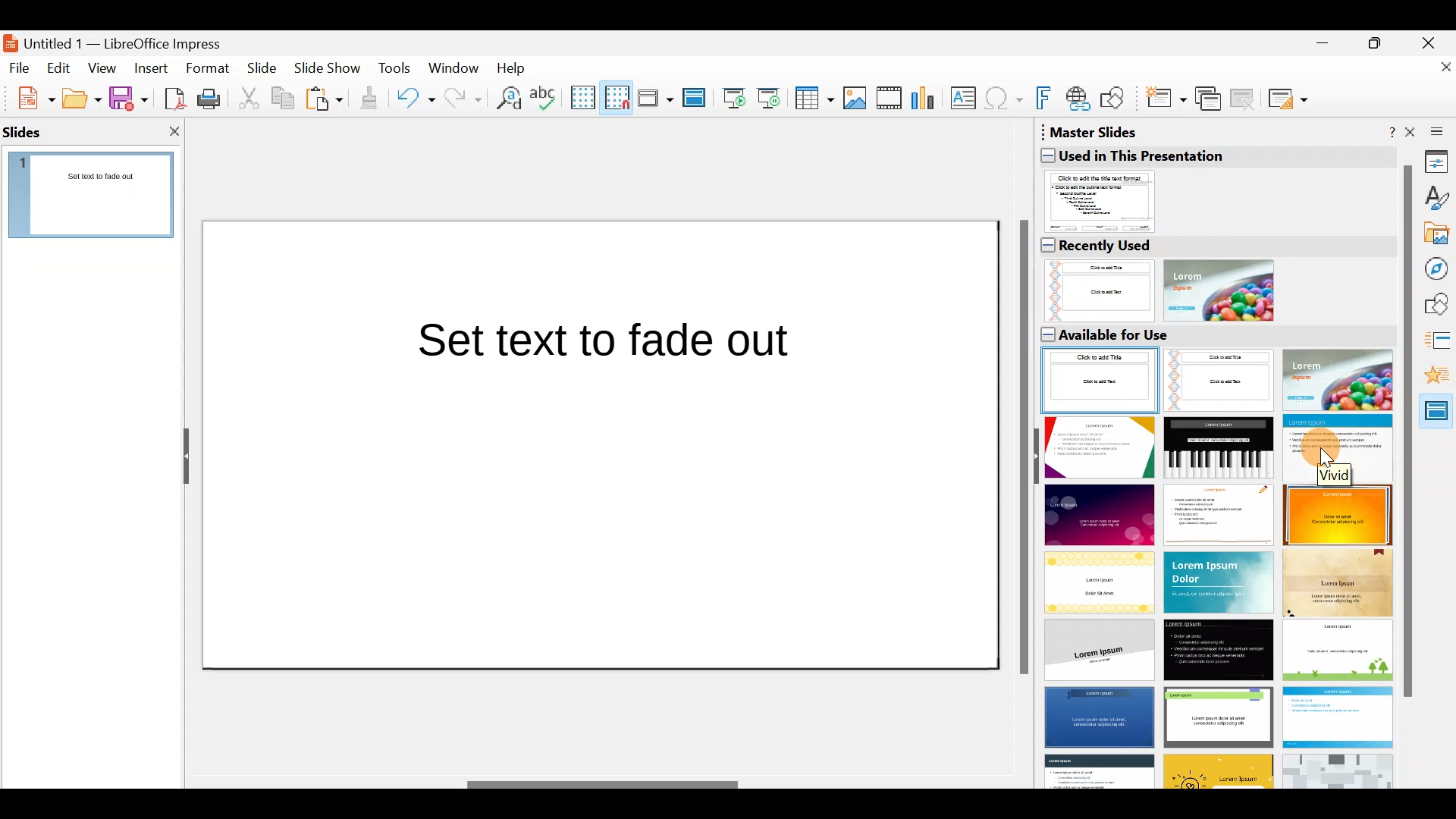 The image size is (1456, 819). Describe the element at coordinates (1439, 343) in the screenshot. I see `Slide transition` at that location.